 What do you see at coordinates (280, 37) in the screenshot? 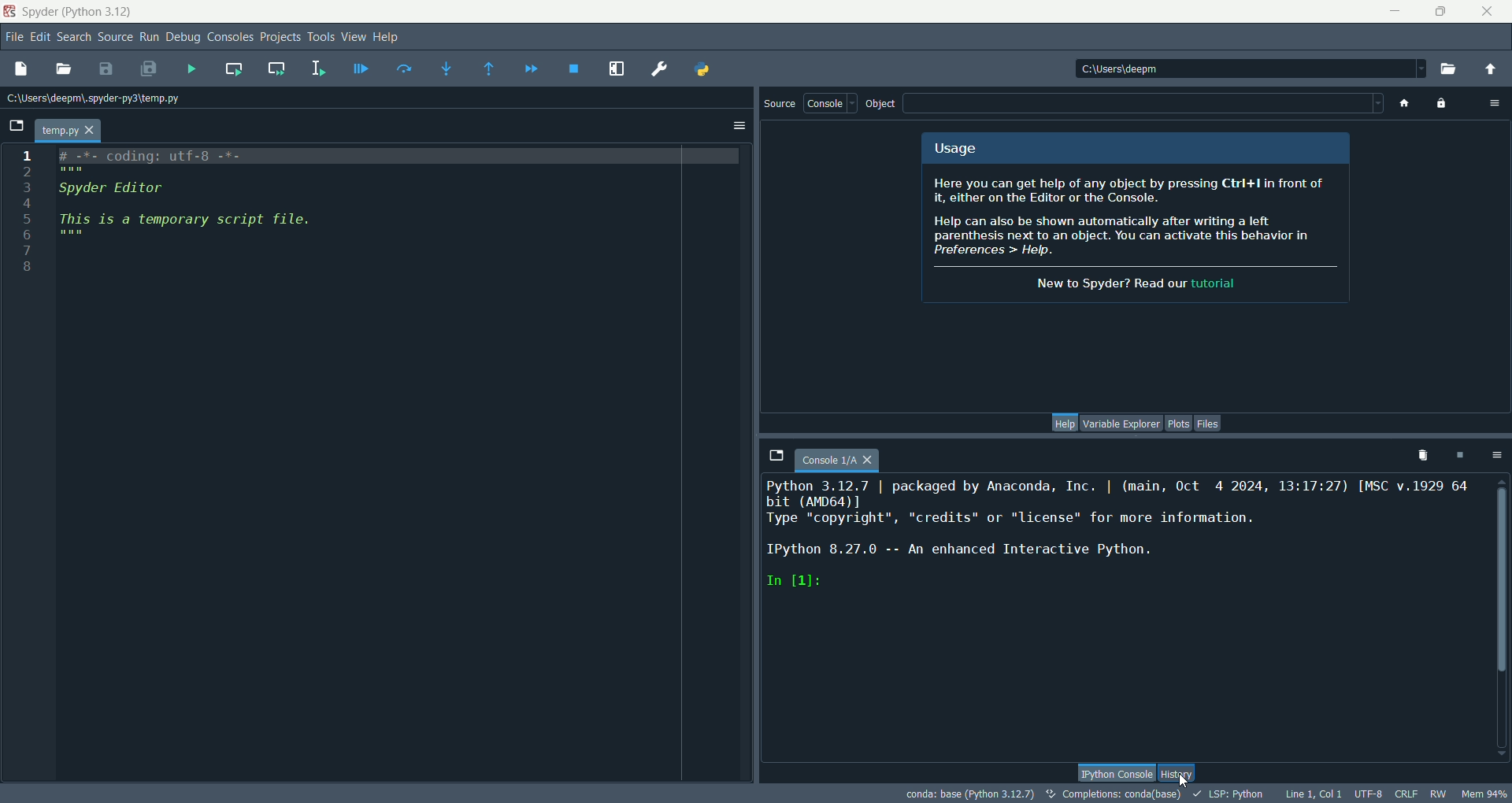
I see `projects` at bounding box center [280, 37].